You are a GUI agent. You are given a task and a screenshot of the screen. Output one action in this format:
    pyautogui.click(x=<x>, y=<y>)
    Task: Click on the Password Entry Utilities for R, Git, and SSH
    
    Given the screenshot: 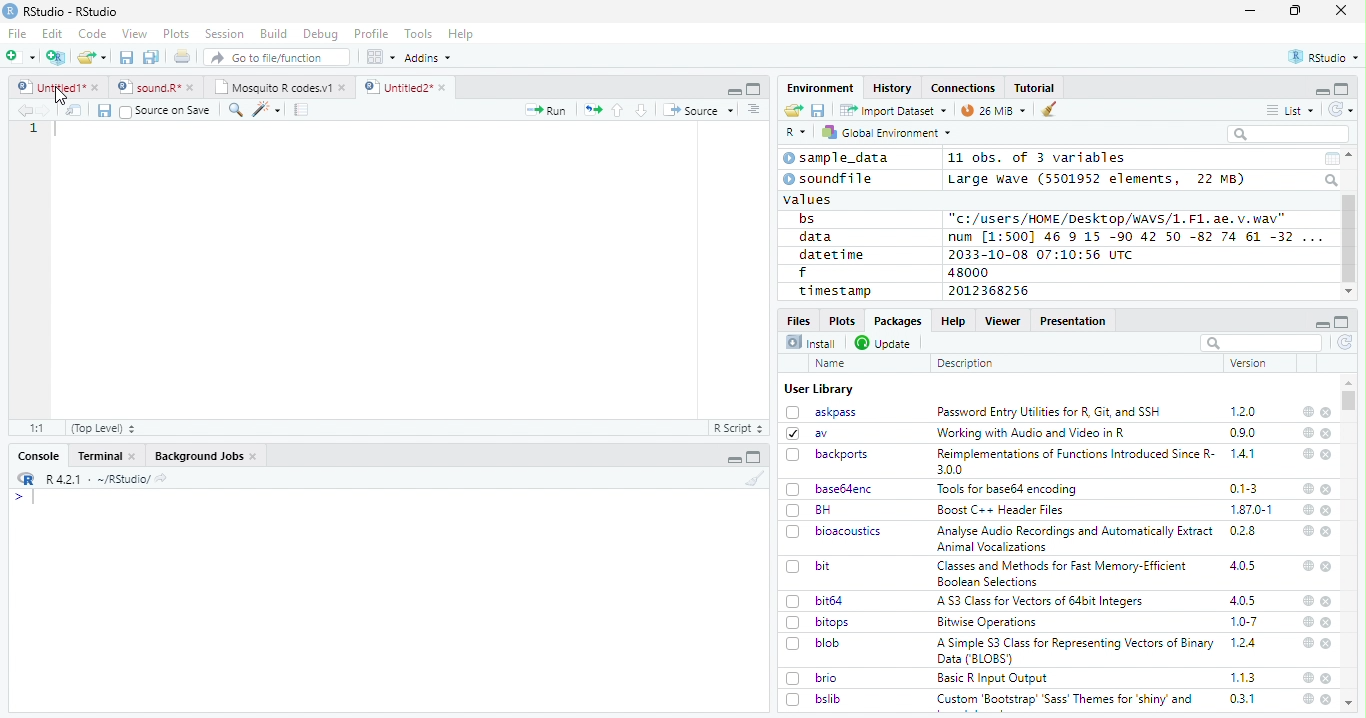 What is the action you would take?
    pyautogui.click(x=1049, y=412)
    